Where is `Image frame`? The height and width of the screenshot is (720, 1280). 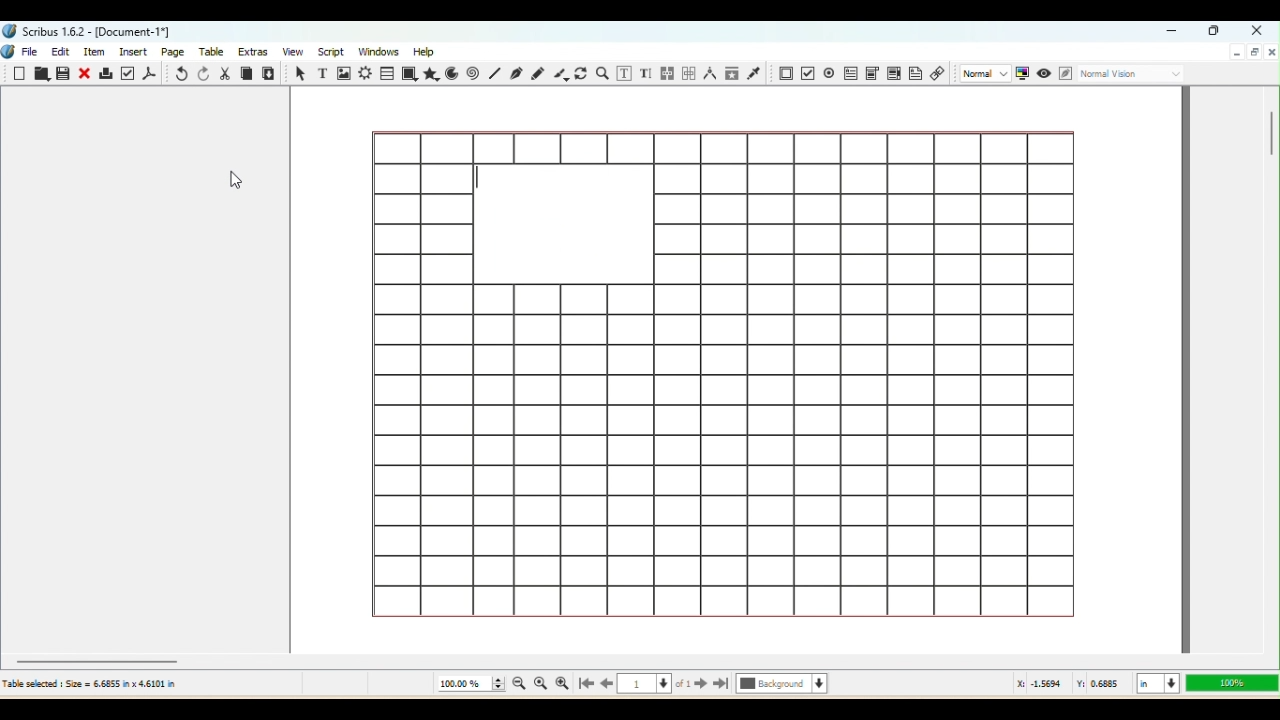 Image frame is located at coordinates (343, 73).